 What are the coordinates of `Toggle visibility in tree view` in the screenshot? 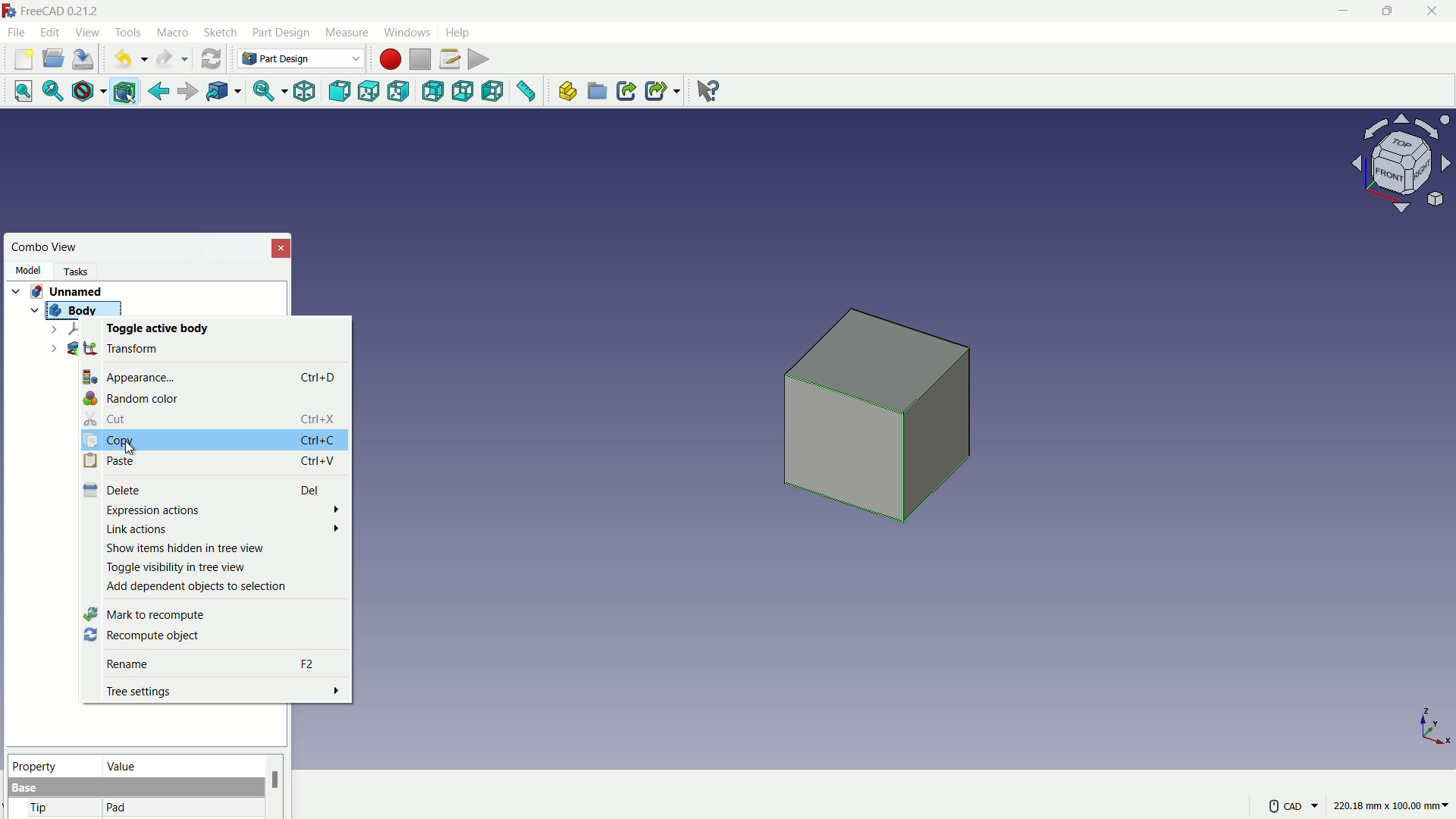 It's located at (175, 567).